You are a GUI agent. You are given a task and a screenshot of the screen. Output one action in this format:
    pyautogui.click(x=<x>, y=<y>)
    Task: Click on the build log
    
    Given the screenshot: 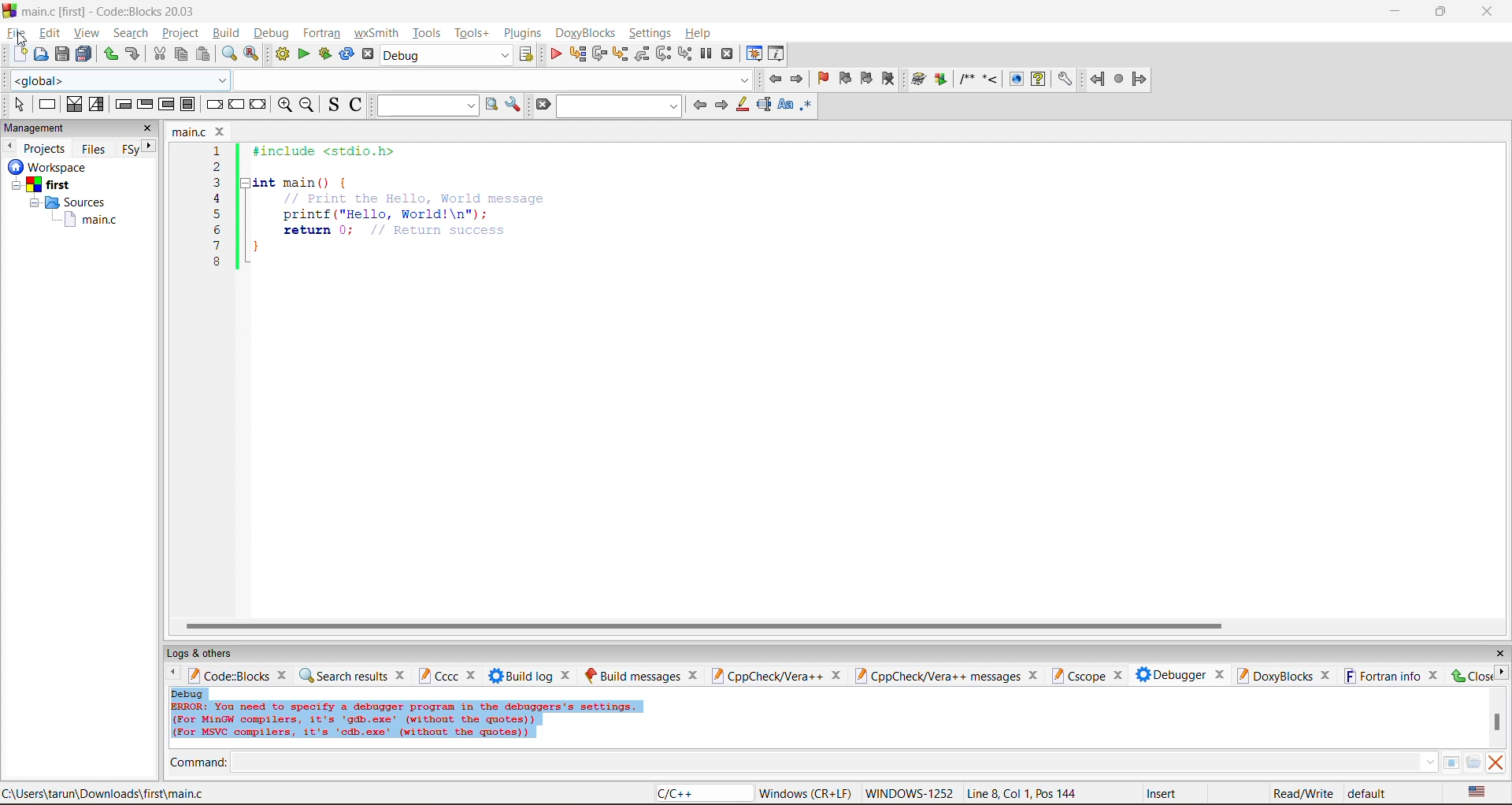 What is the action you would take?
    pyautogui.click(x=521, y=676)
    